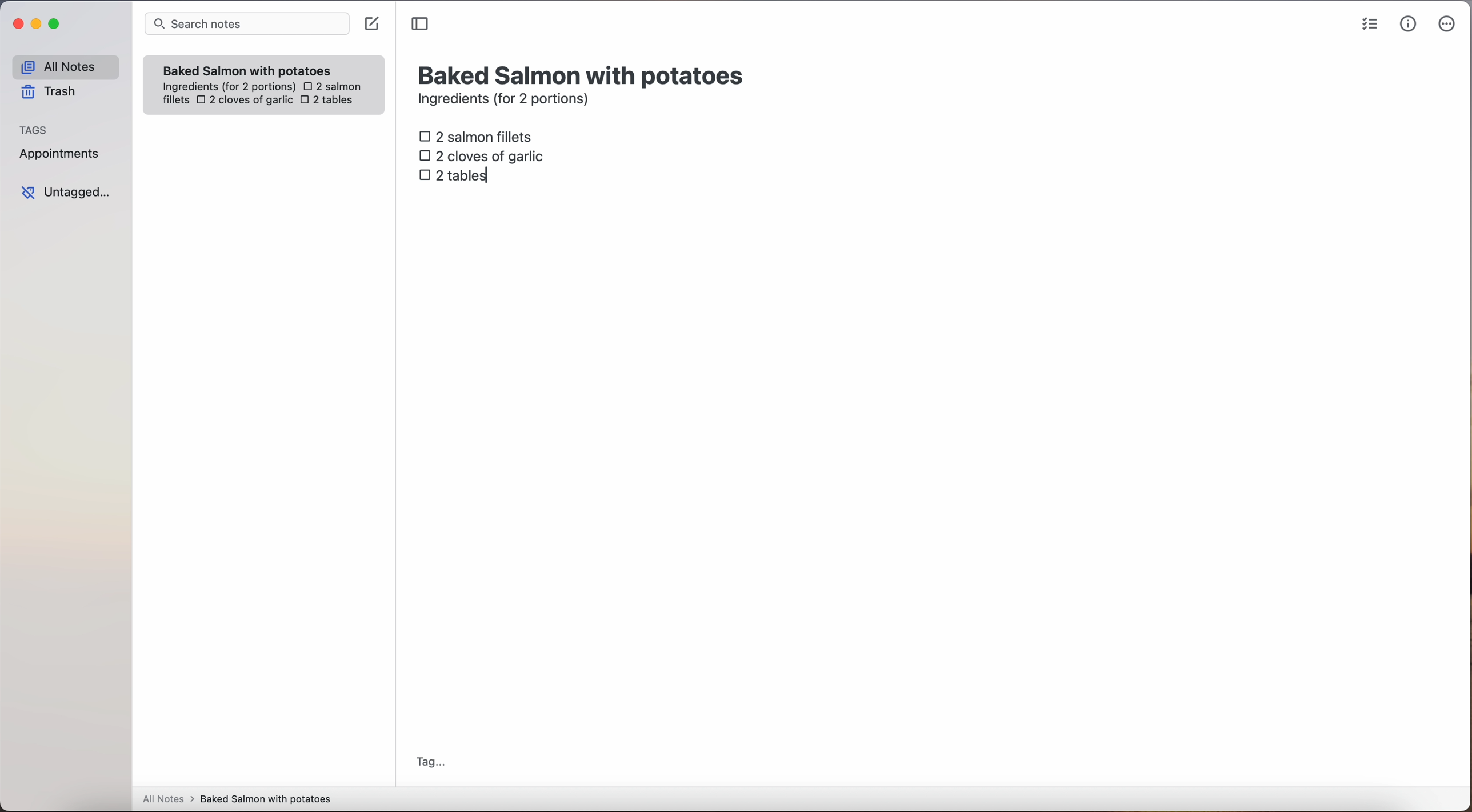 Image resolution: width=1472 pixels, height=812 pixels. Describe the element at coordinates (583, 74) in the screenshot. I see `title` at that location.